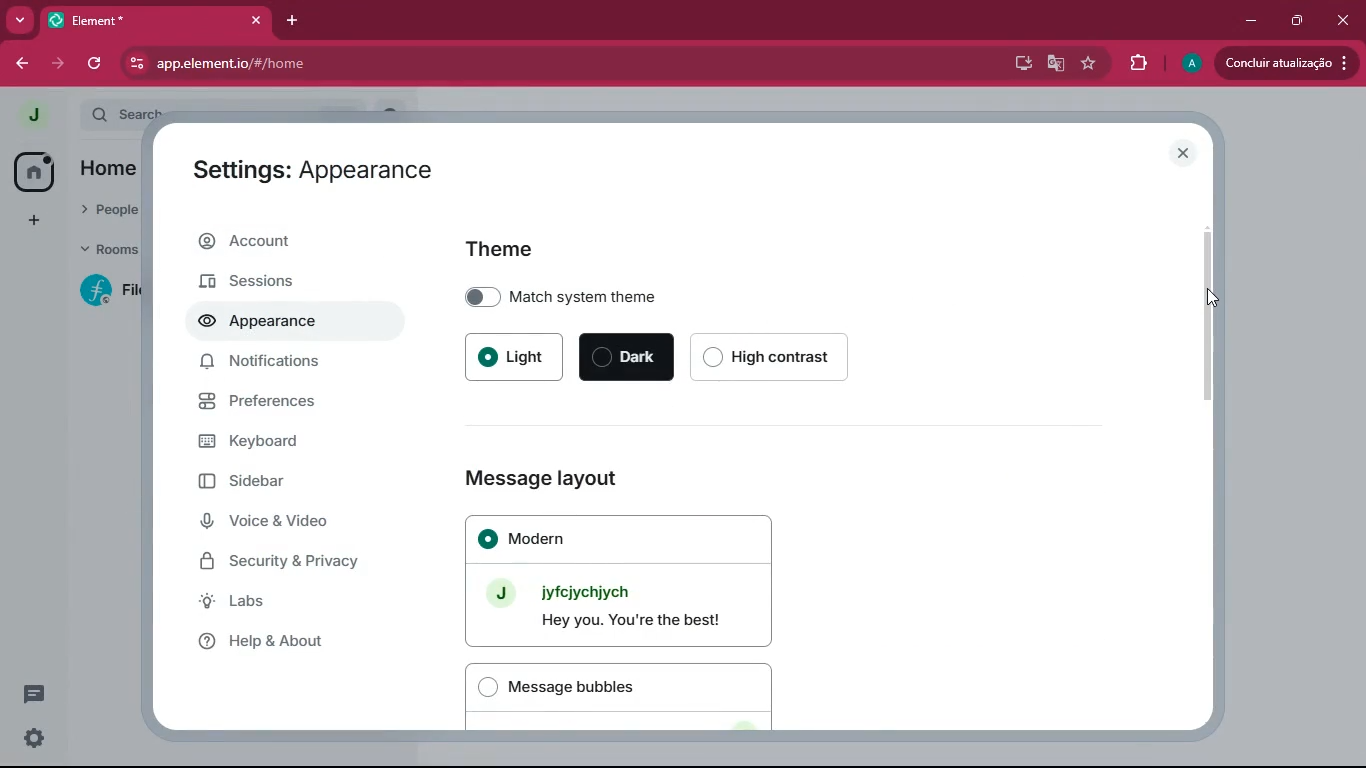 This screenshot has height=768, width=1366. I want to click on light, so click(518, 356).